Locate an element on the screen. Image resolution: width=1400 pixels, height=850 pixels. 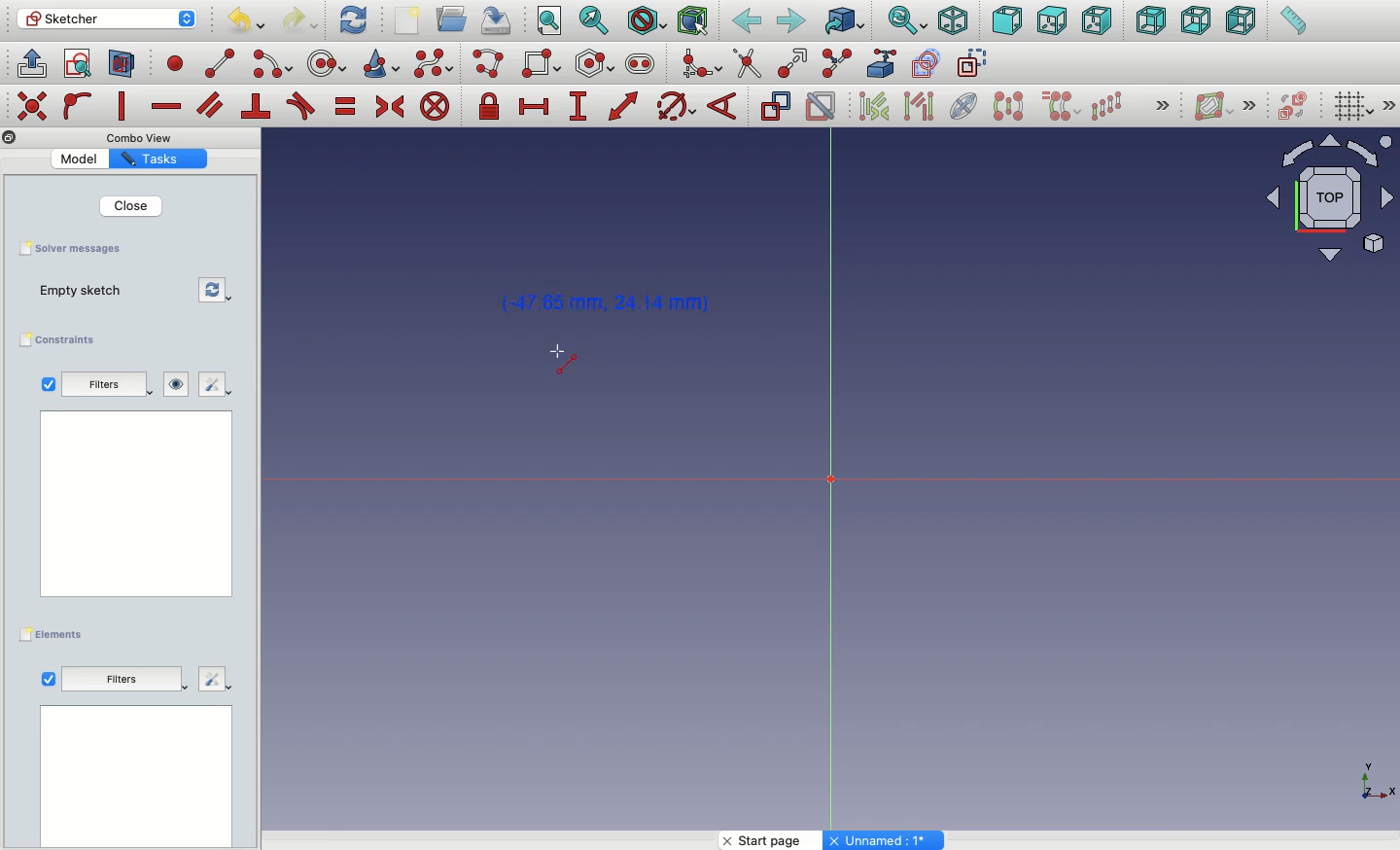
arc is located at coordinates (273, 64).